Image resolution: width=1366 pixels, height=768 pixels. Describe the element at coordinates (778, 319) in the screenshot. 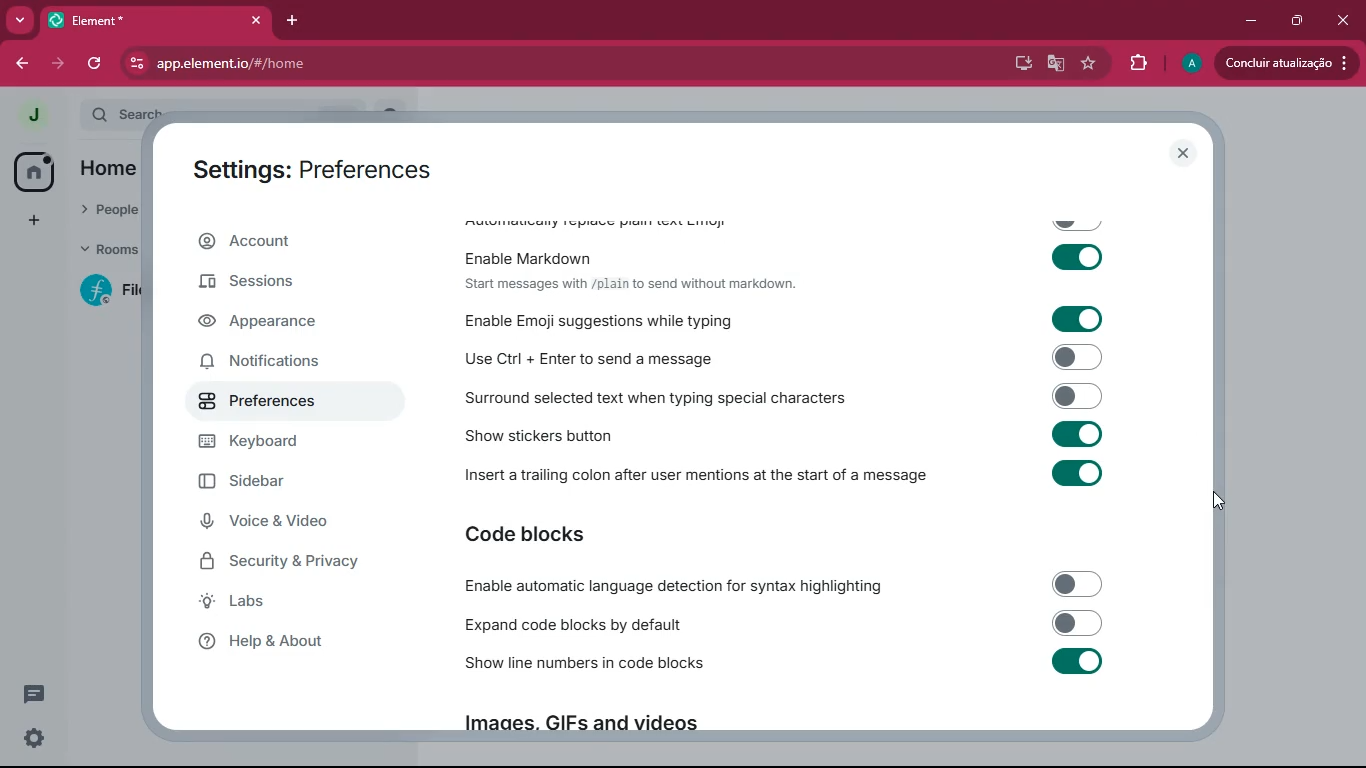

I see `Enable Emoji suggestions while typing` at that location.